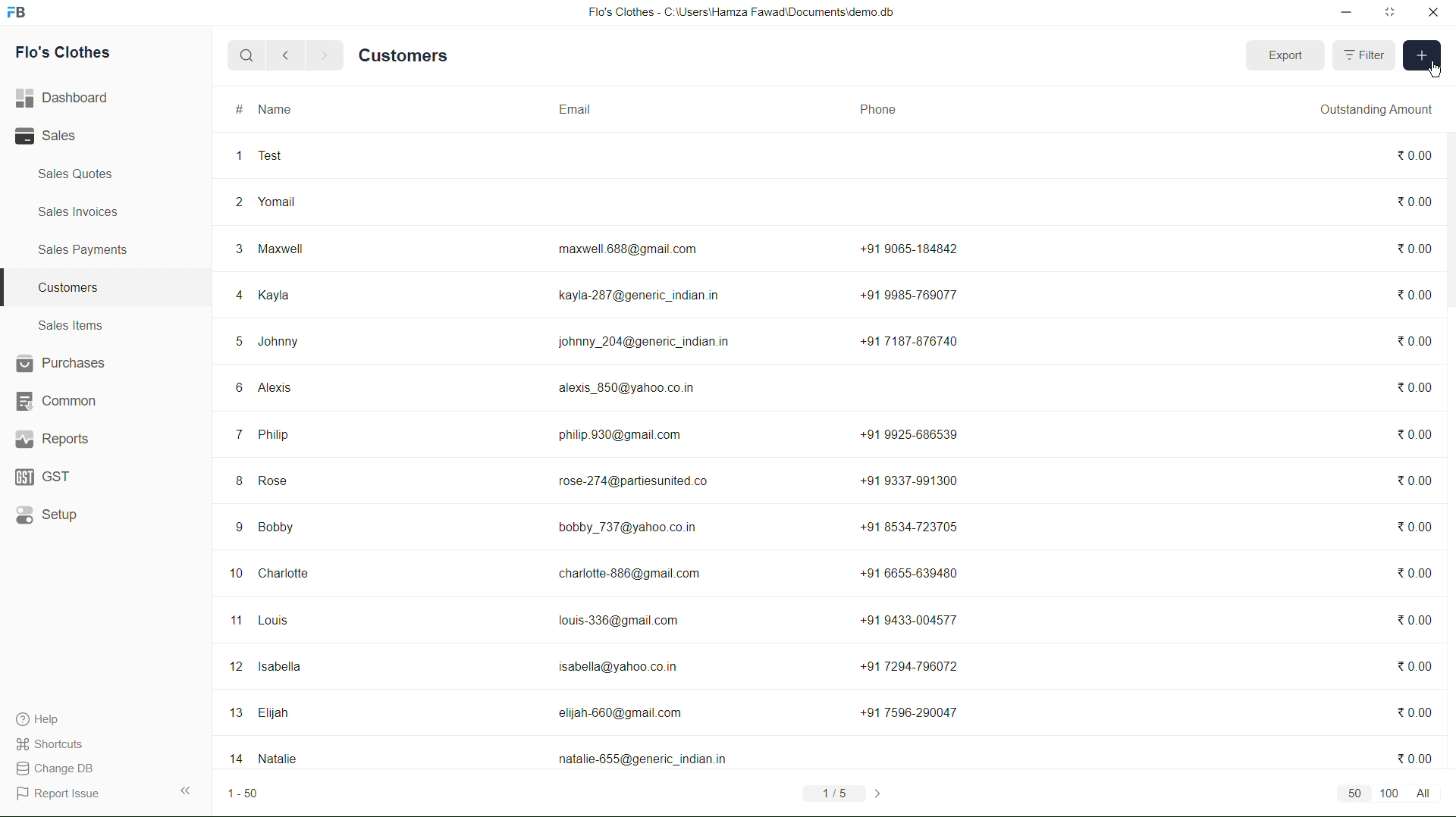 The image size is (1456, 817). I want to click on Shortcuts, so click(59, 743).